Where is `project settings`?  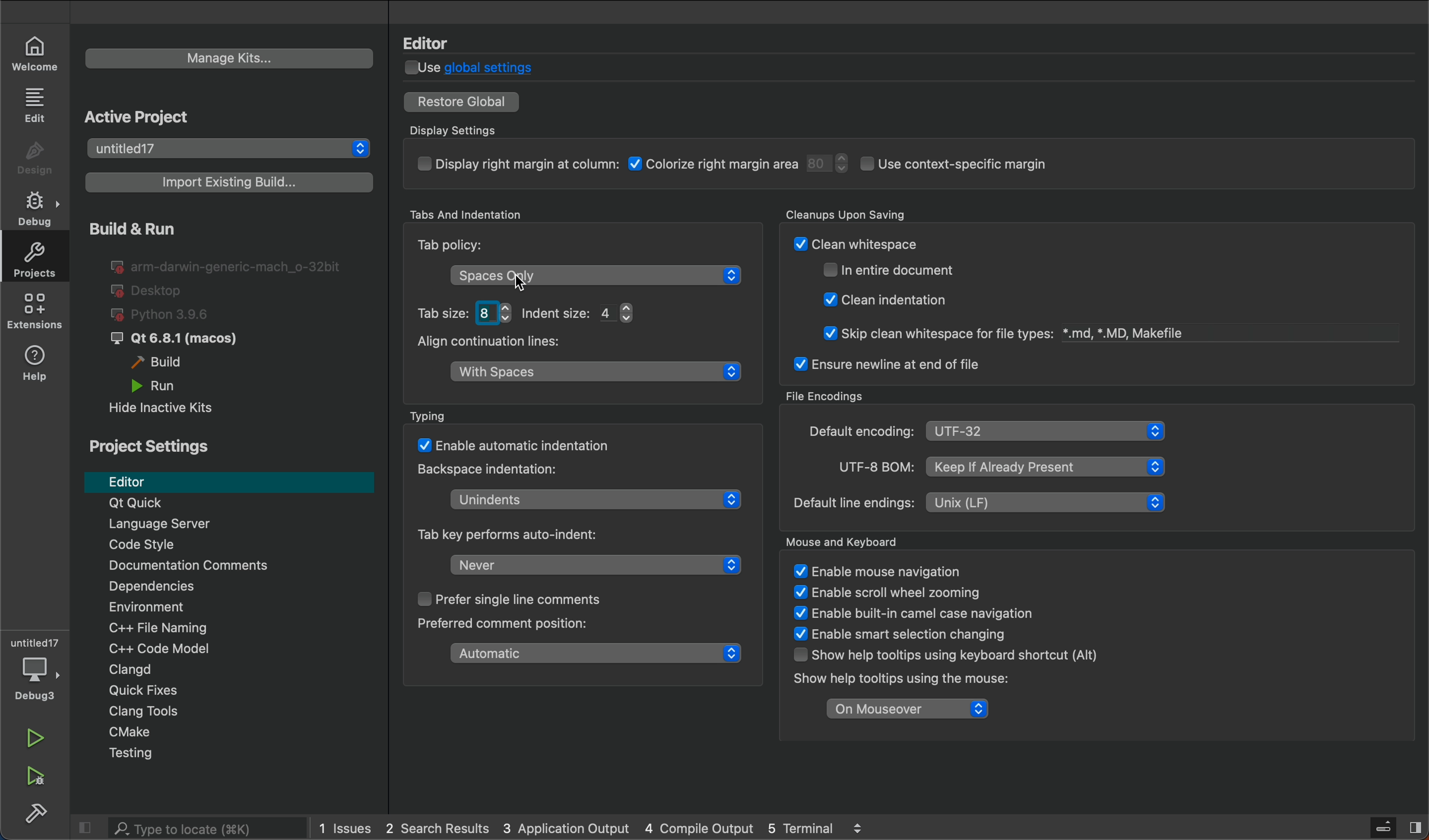
project settings is located at coordinates (150, 447).